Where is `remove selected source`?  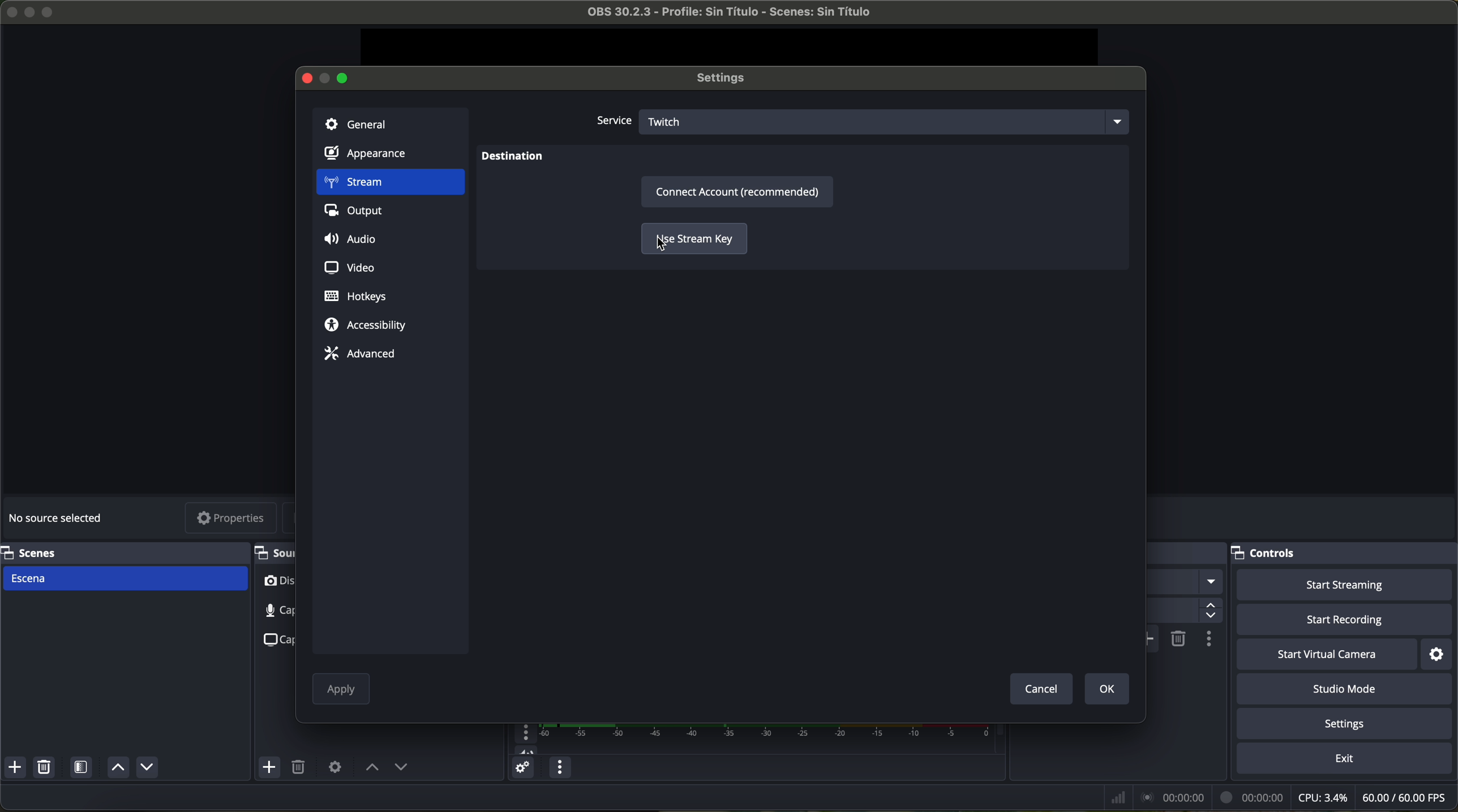 remove selected source is located at coordinates (301, 768).